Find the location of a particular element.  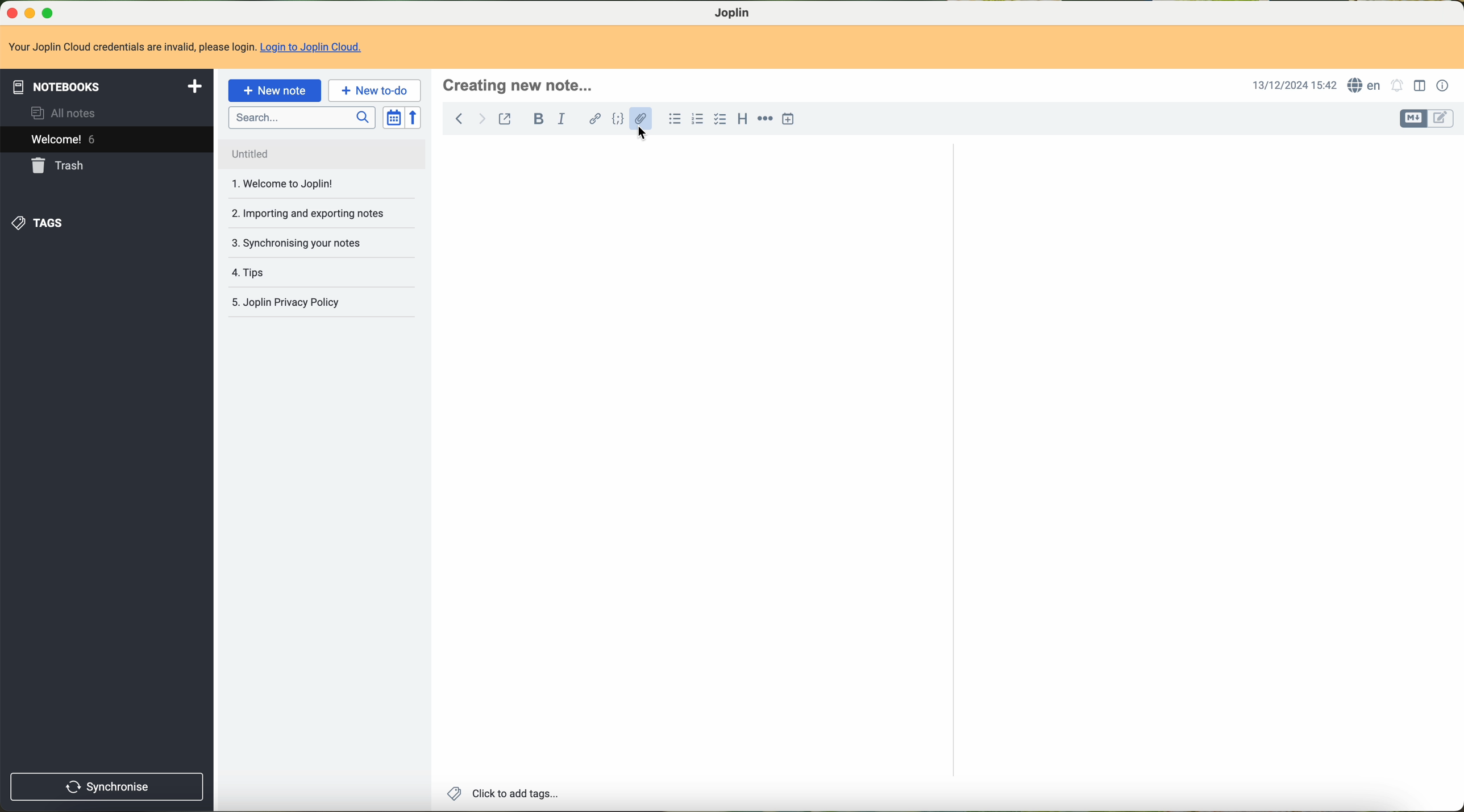

new to-do is located at coordinates (375, 91).